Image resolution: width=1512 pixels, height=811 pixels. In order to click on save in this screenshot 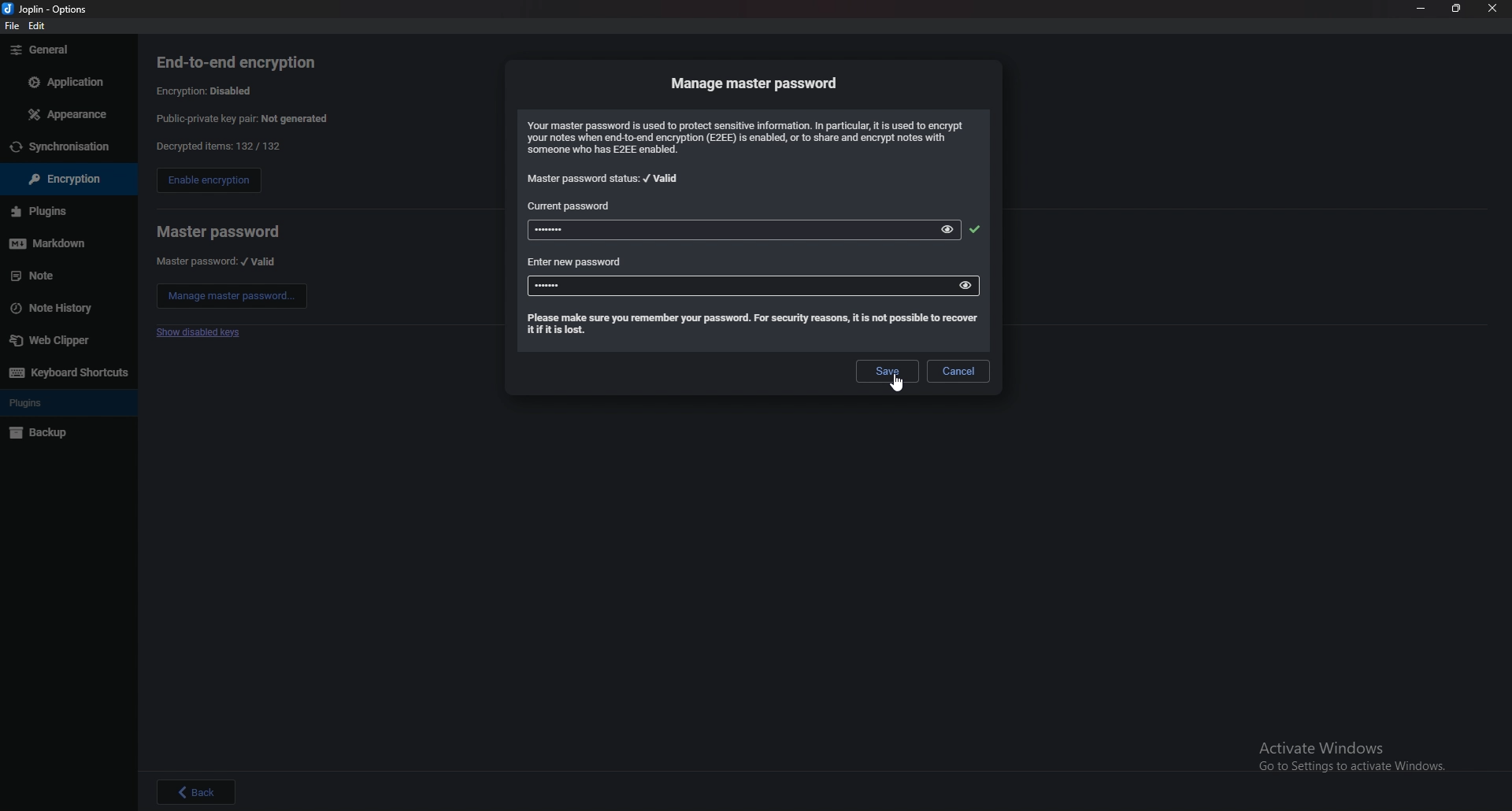, I will do `click(885, 372)`.